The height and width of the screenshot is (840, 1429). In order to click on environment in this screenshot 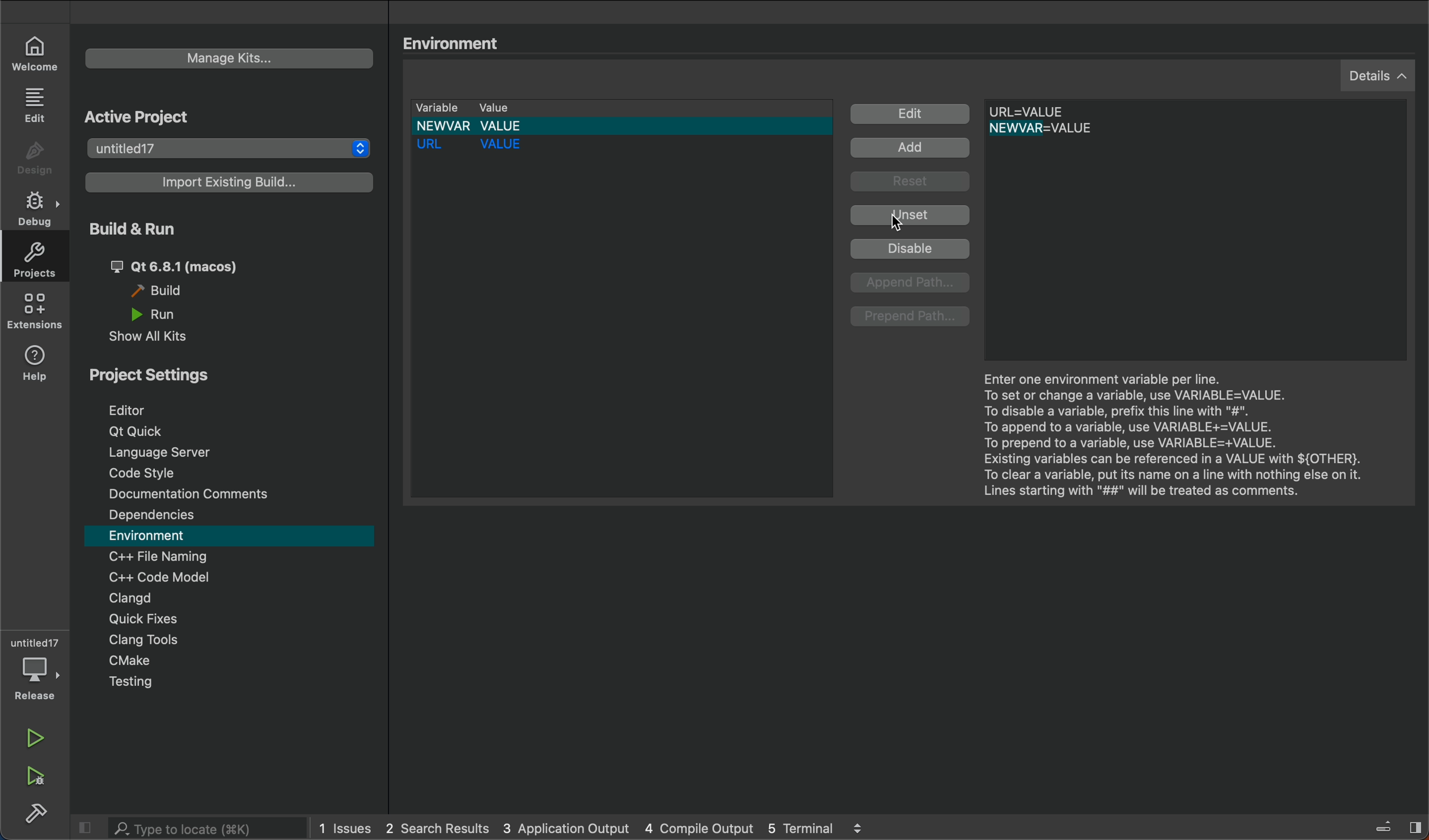, I will do `click(159, 536)`.